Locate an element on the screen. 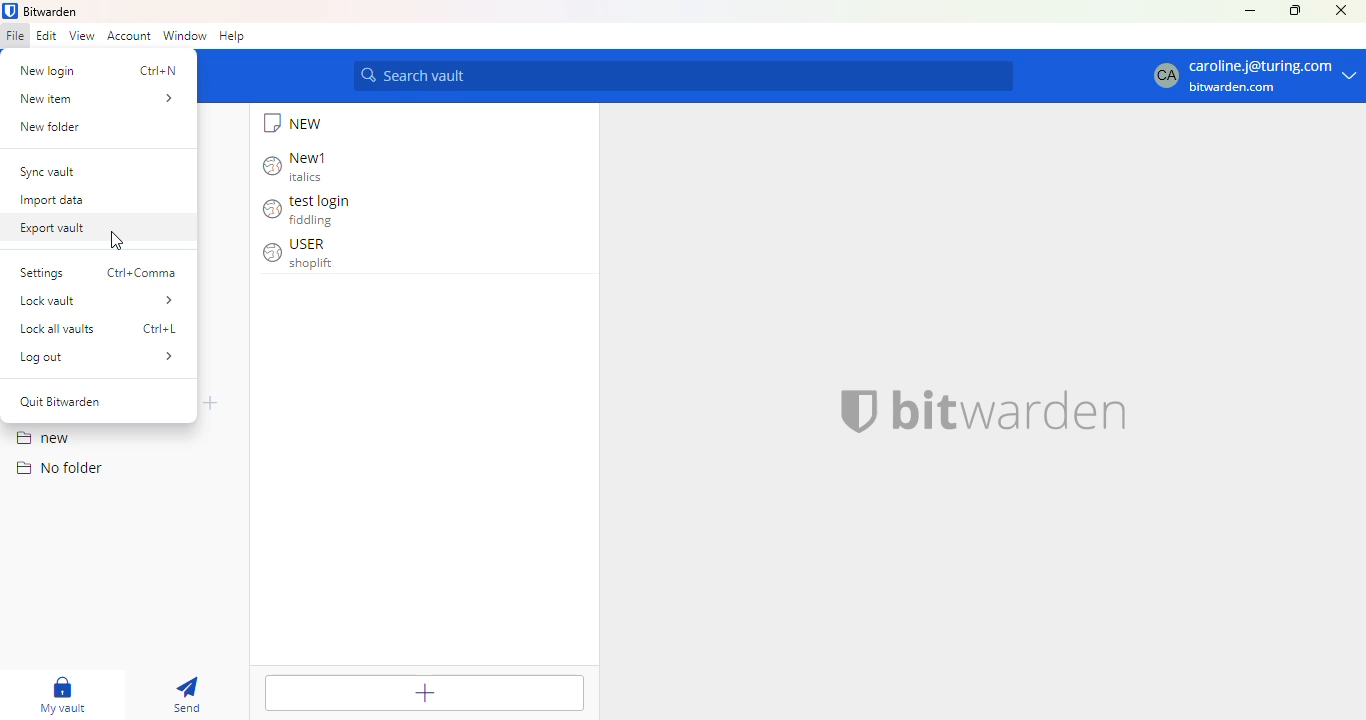 Image resolution: width=1366 pixels, height=720 pixels. add item is located at coordinates (424, 692).